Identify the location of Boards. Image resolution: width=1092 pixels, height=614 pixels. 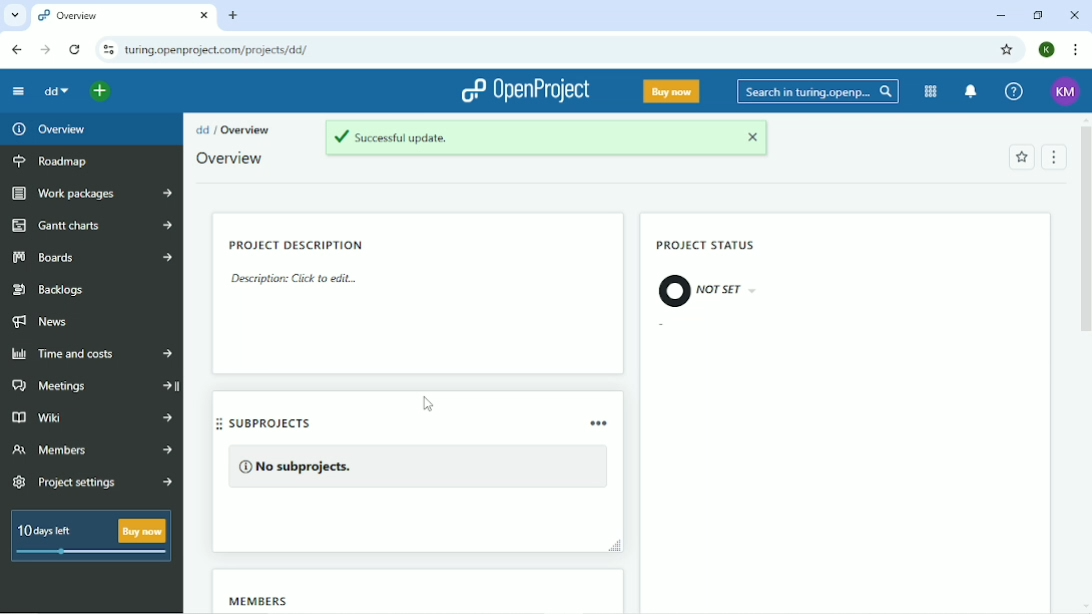
(93, 258).